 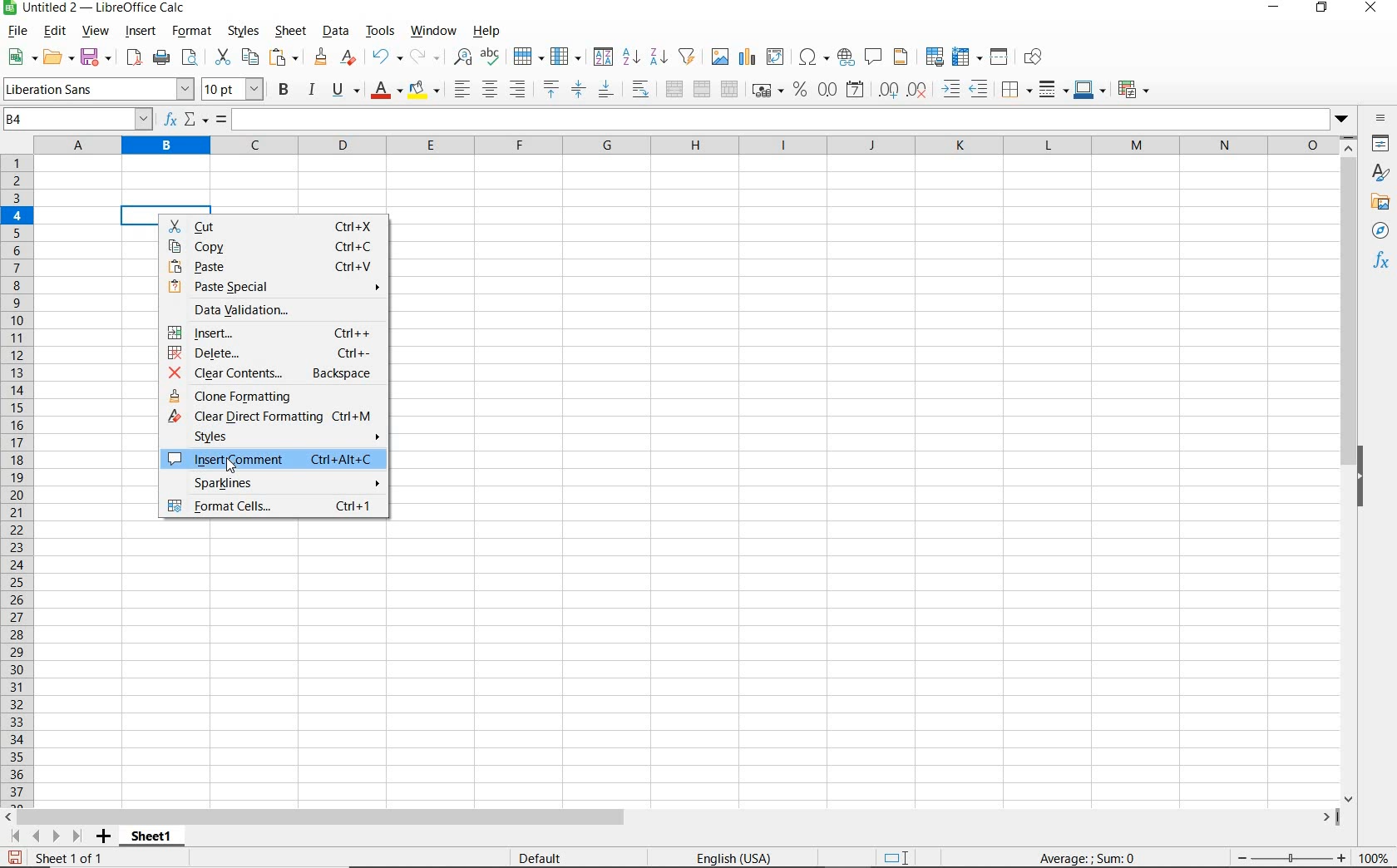 What do you see at coordinates (461, 57) in the screenshot?
I see `find and replace` at bounding box center [461, 57].